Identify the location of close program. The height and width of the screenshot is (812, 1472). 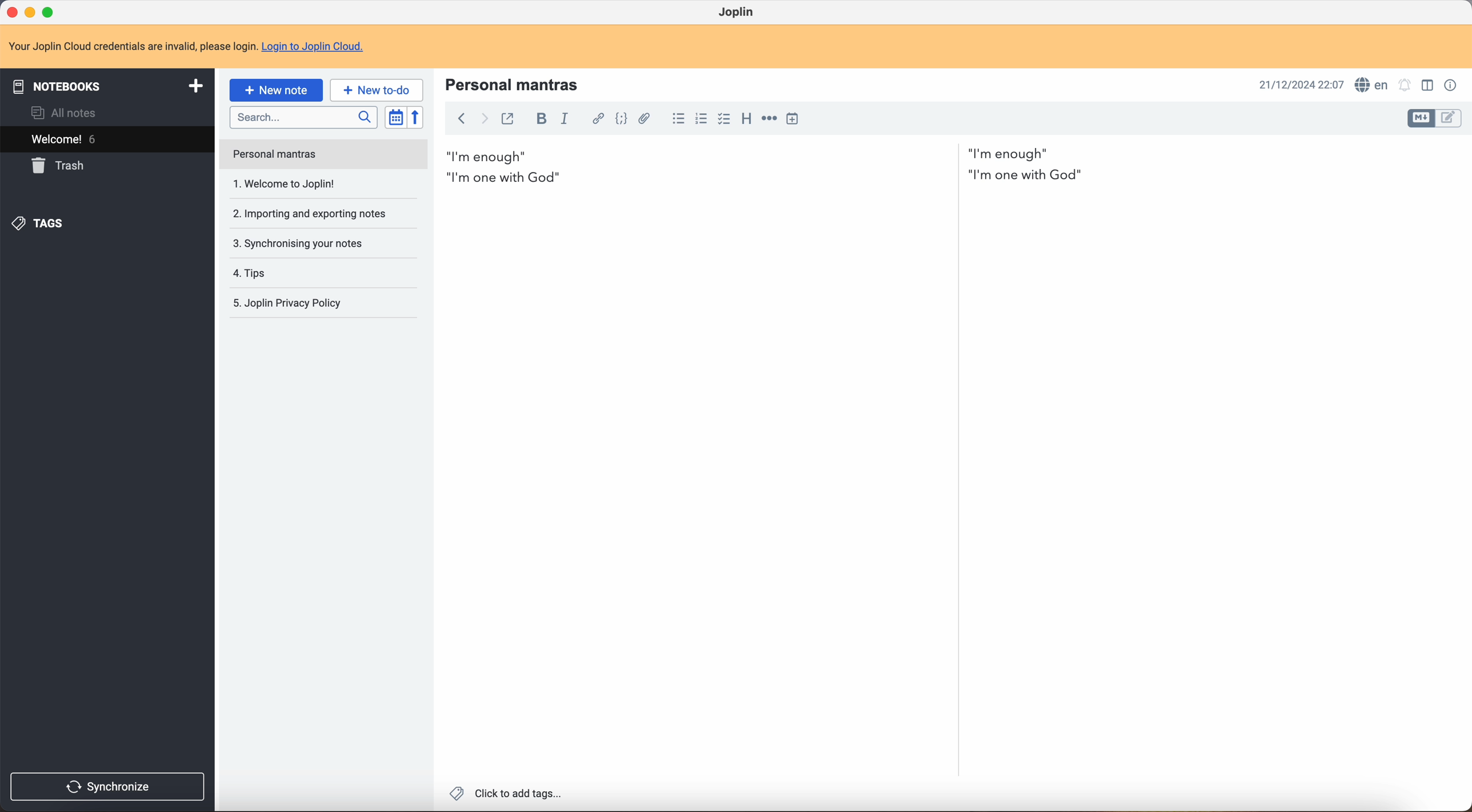
(11, 13).